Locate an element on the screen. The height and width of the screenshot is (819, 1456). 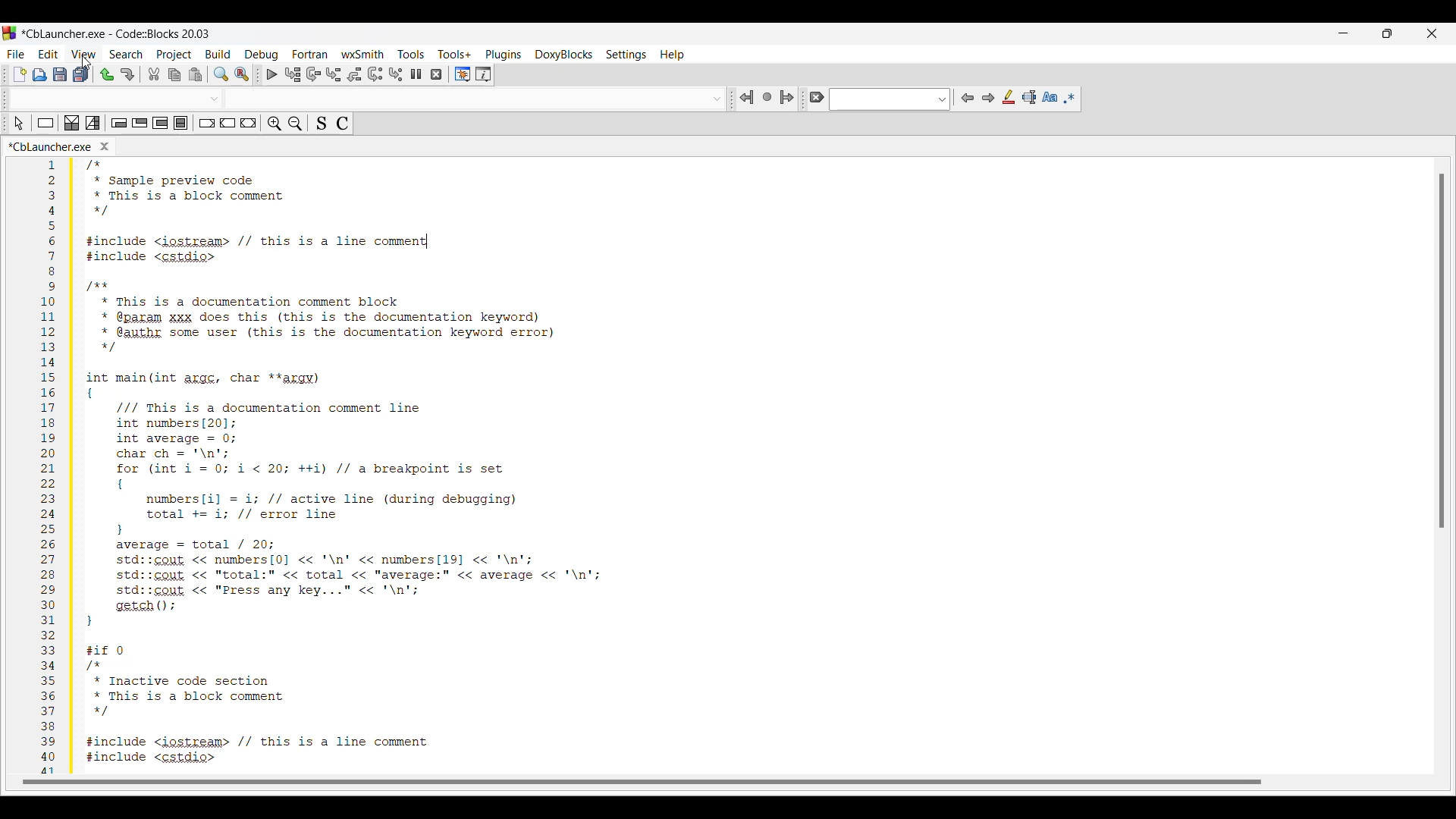
Build menu is located at coordinates (218, 54).